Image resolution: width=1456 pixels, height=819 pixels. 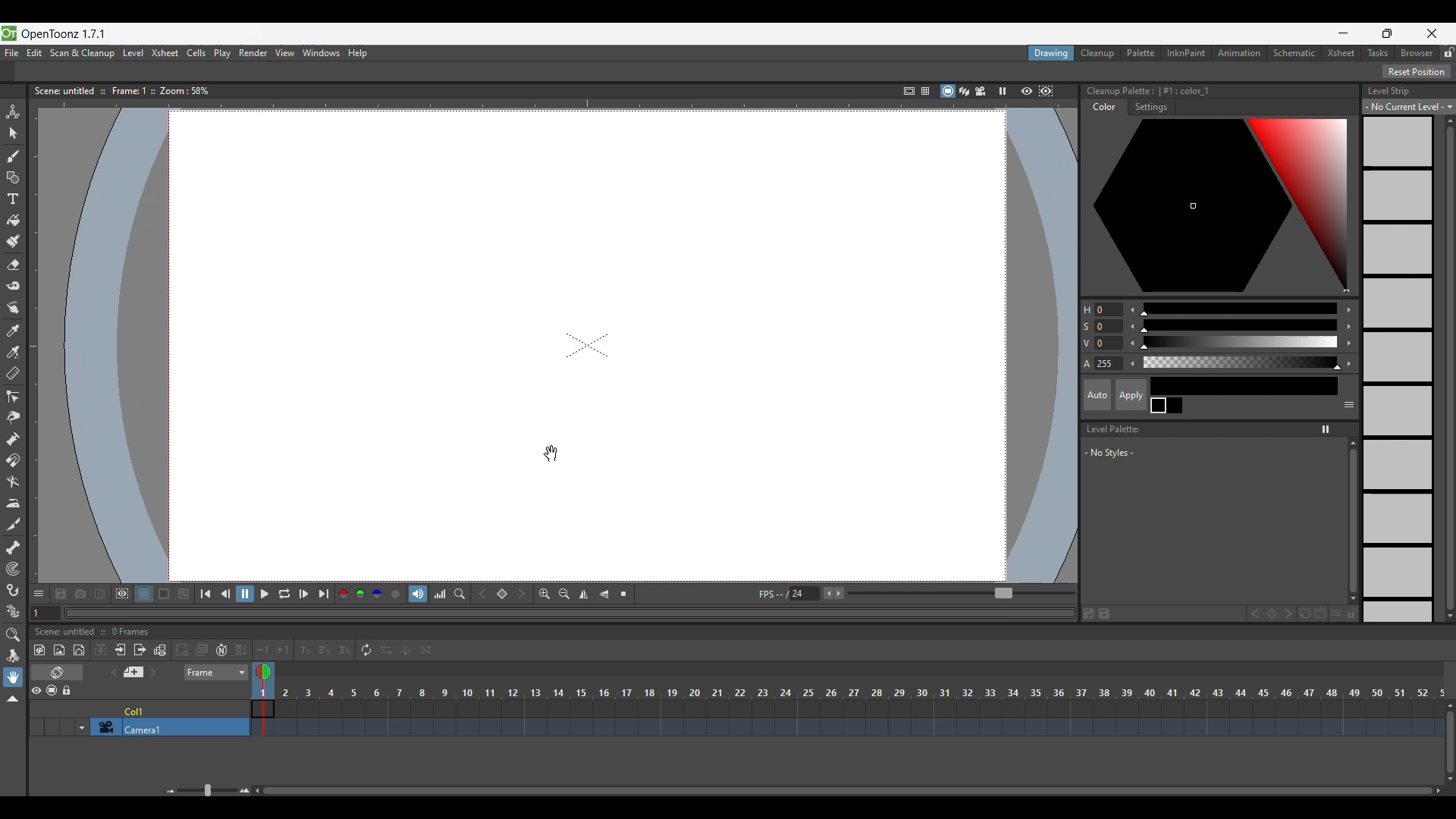 What do you see at coordinates (12, 439) in the screenshot?
I see `Pump tool` at bounding box center [12, 439].